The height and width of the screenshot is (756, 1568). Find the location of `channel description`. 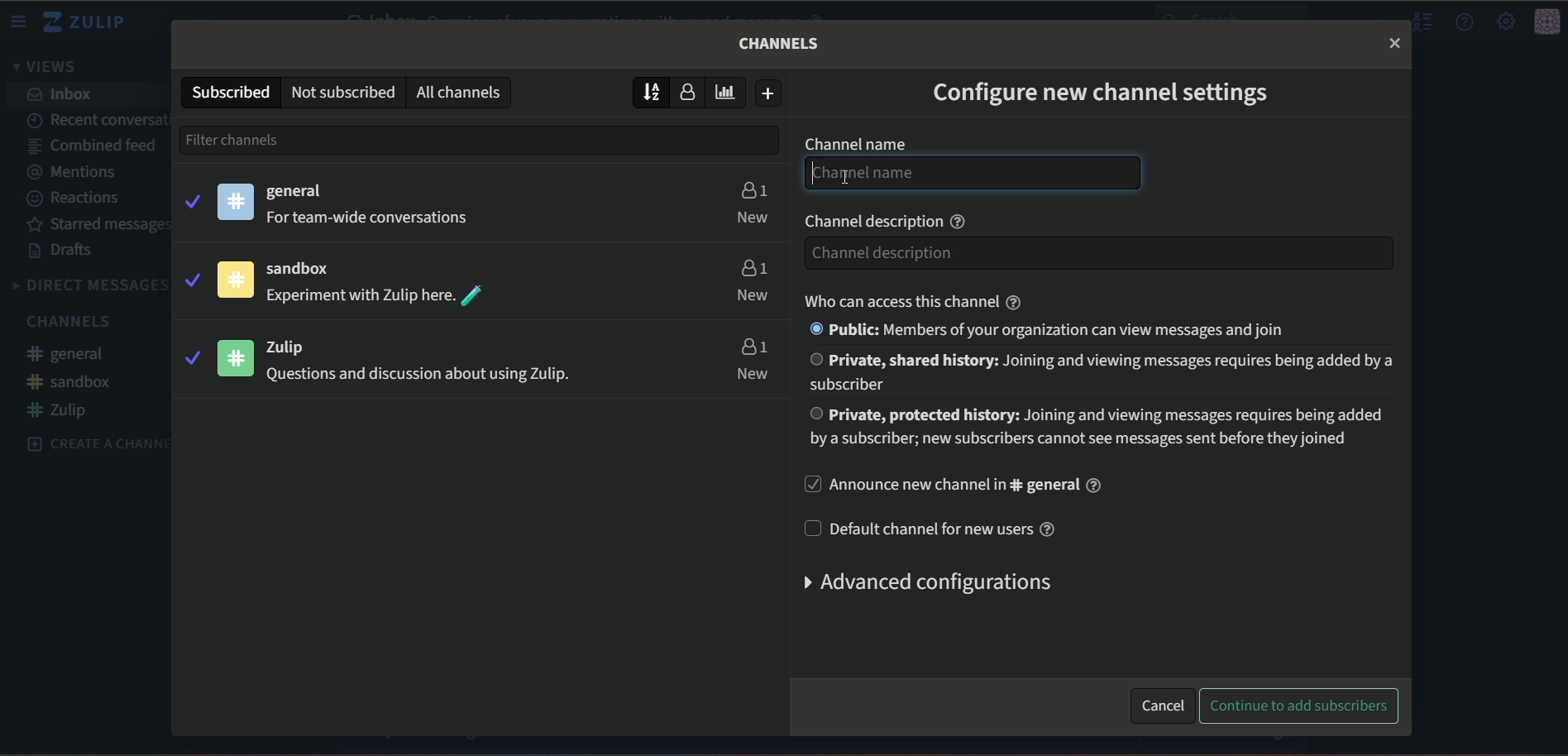

channel description is located at coordinates (1001, 251).